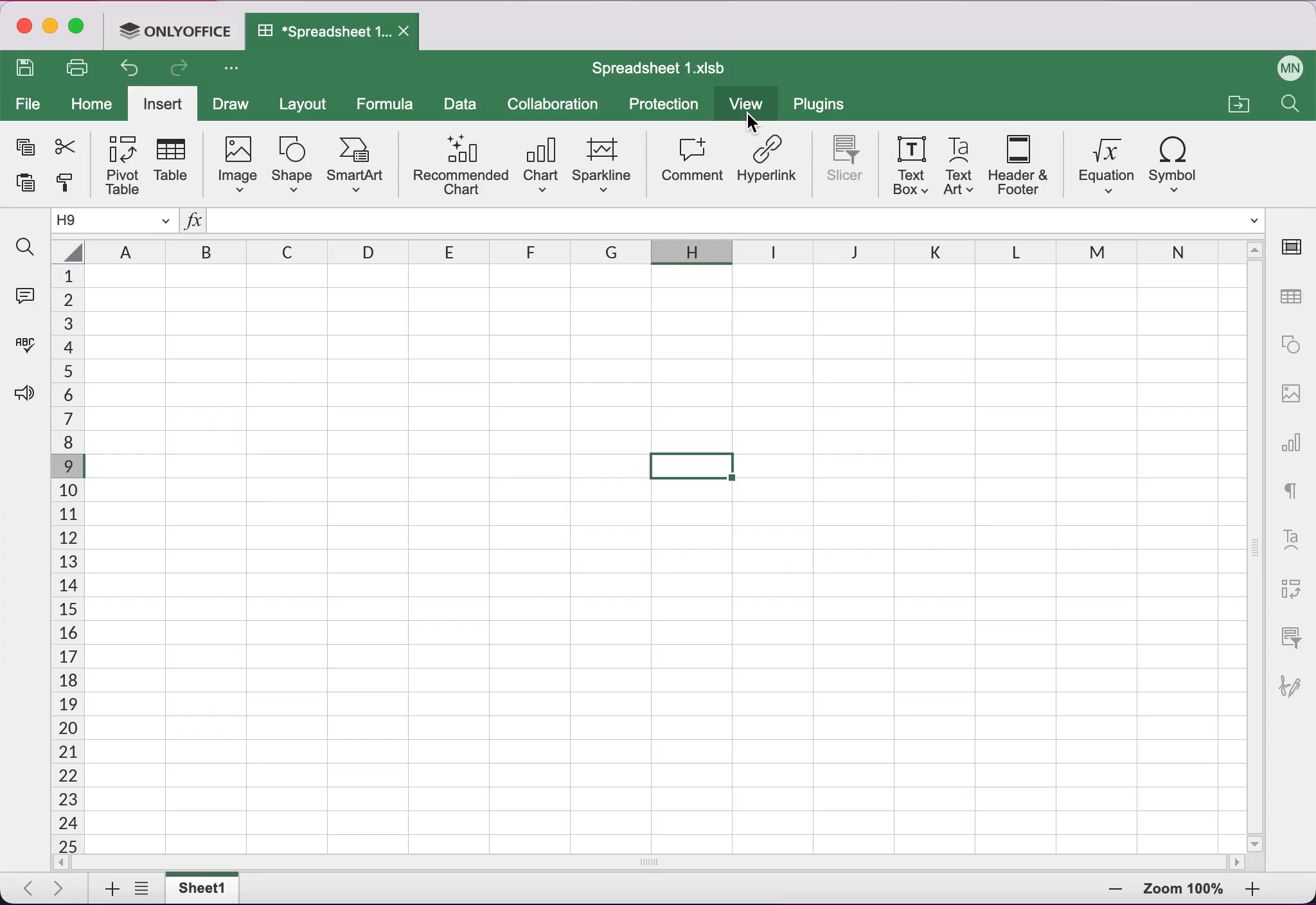 This screenshot has width=1316, height=905. Describe the element at coordinates (1237, 106) in the screenshot. I see `file a collection` at that location.